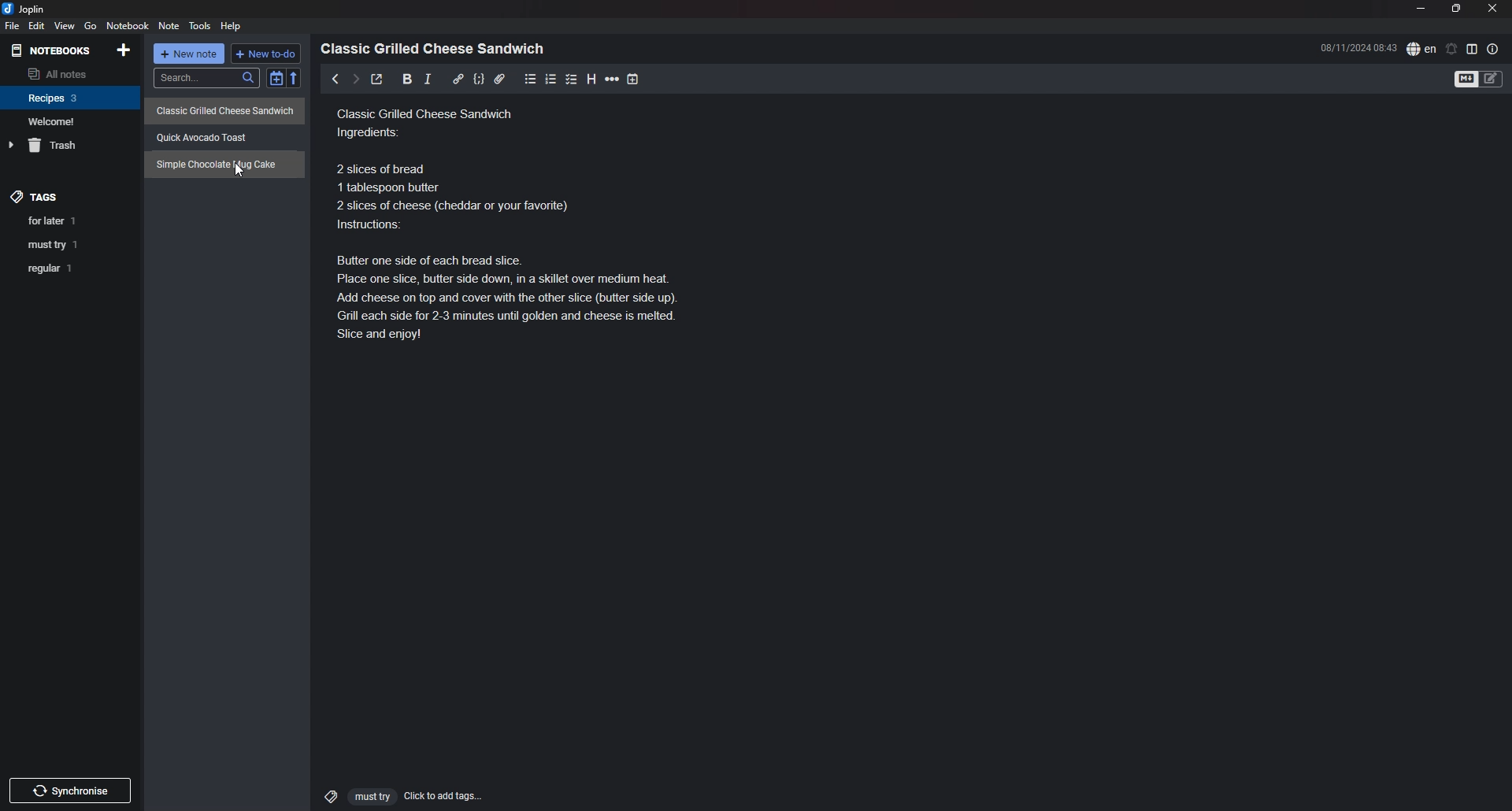  Describe the element at coordinates (1421, 9) in the screenshot. I see `minimize` at that location.